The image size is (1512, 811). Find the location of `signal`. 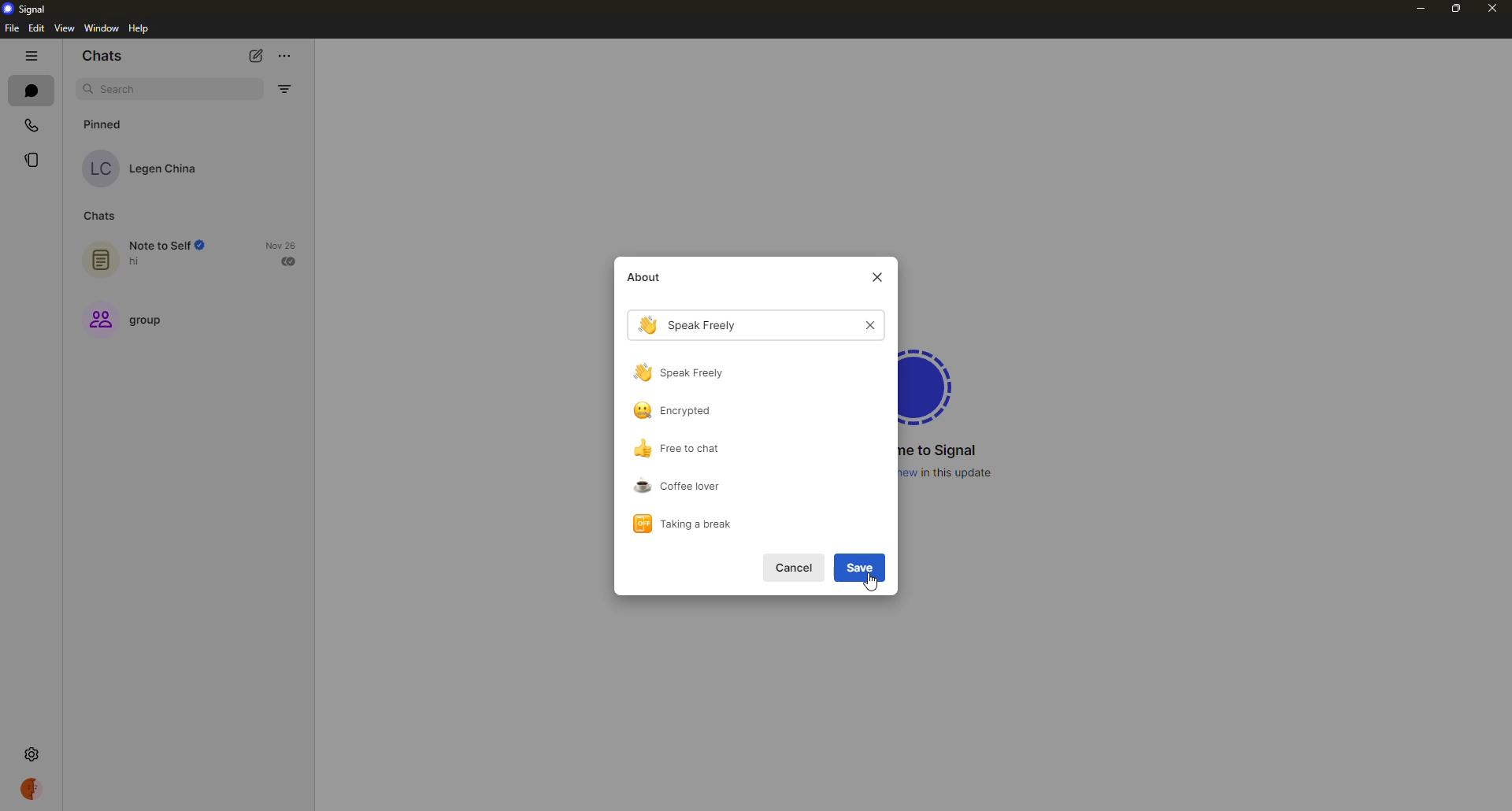

signal is located at coordinates (934, 383).